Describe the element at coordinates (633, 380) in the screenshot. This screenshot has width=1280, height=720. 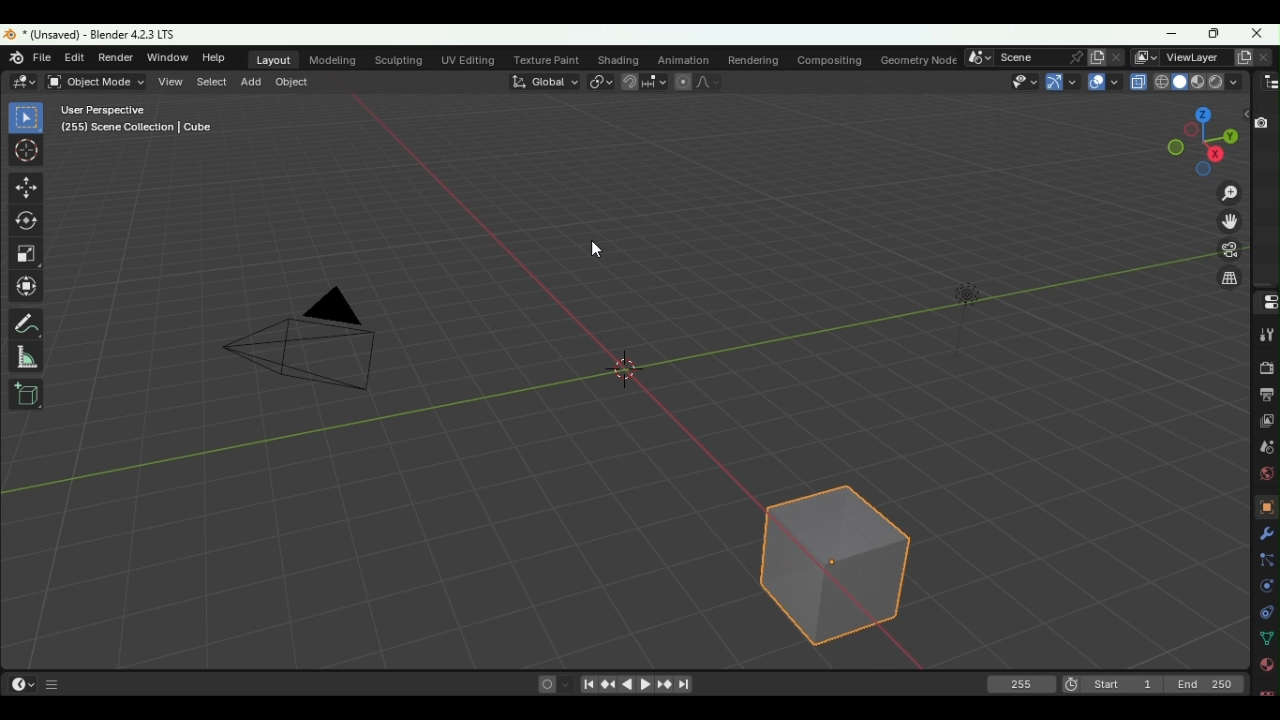
I see `Center Axis` at that location.